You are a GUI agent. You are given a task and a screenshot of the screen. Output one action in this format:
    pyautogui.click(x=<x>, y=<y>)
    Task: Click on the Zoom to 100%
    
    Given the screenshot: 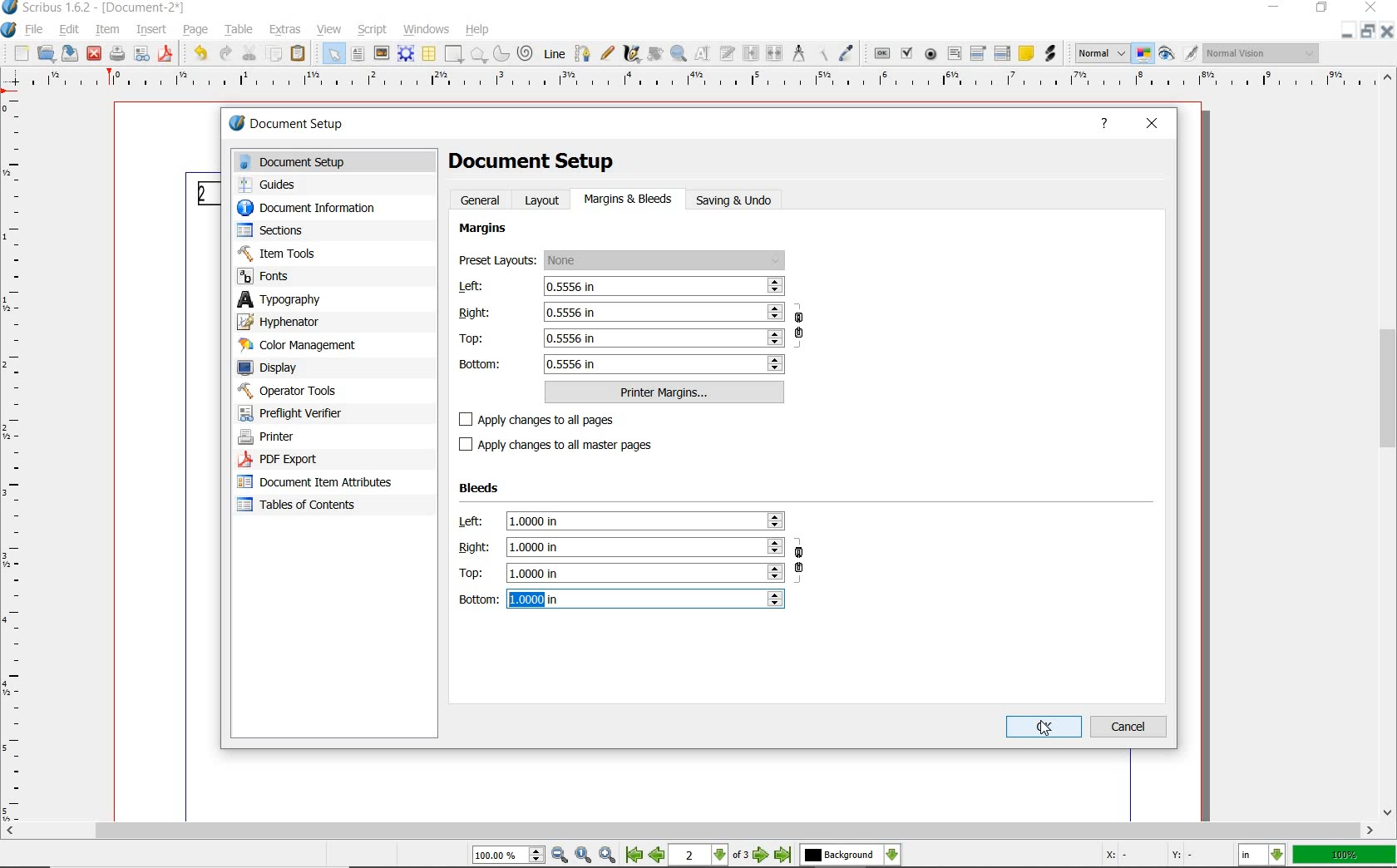 What is the action you would take?
    pyautogui.click(x=584, y=856)
    